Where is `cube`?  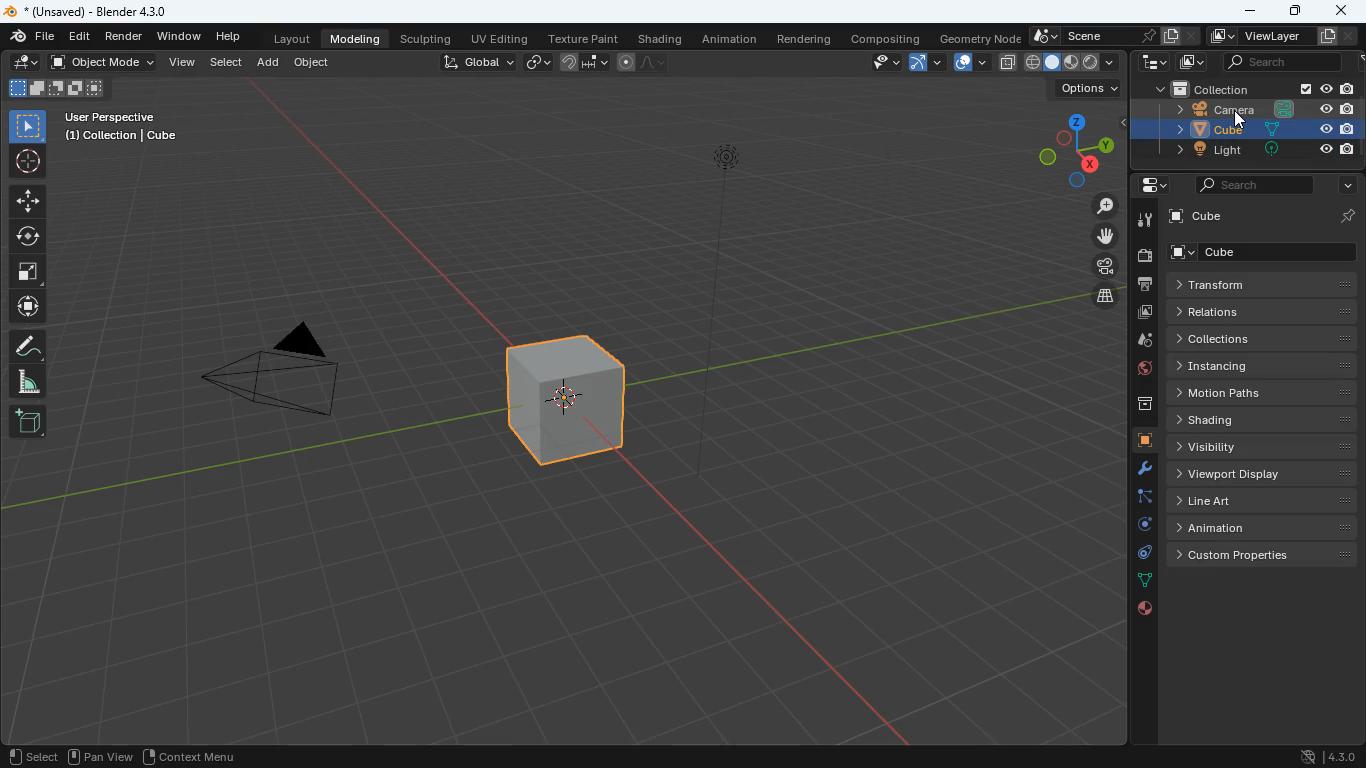
cube is located at coordinates (1135, 439).